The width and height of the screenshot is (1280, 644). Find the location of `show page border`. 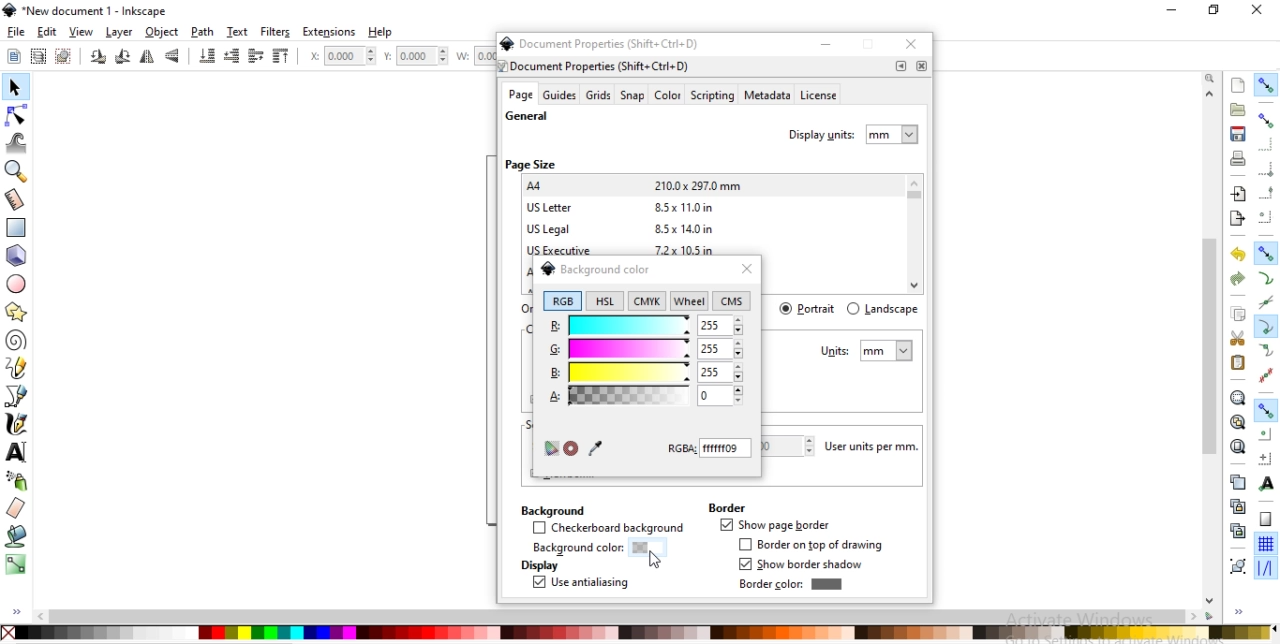

show page border is located at coordinates (774, 526).